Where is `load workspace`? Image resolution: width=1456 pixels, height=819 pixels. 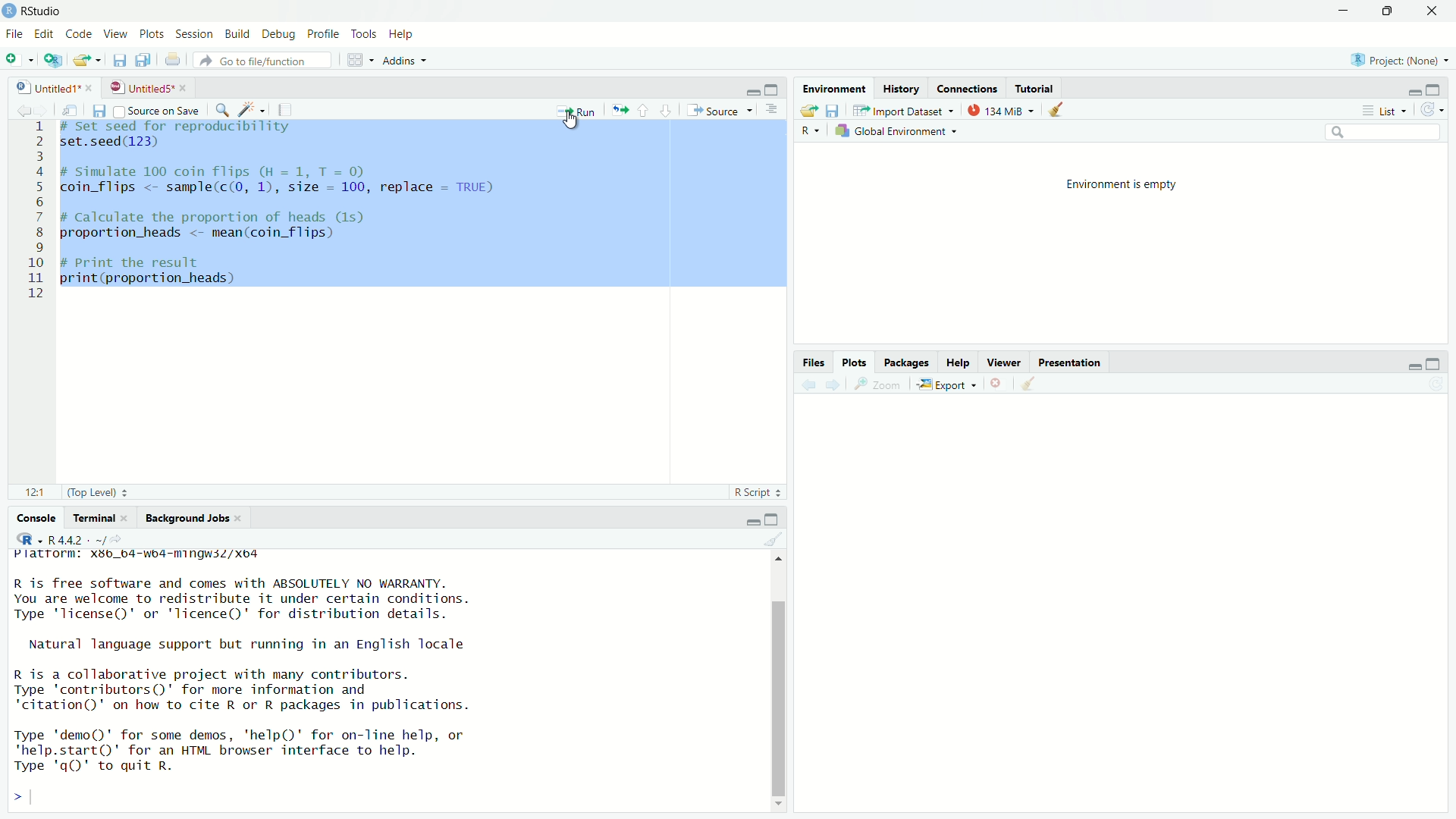
load workspace is located at coordinates (808, 111).